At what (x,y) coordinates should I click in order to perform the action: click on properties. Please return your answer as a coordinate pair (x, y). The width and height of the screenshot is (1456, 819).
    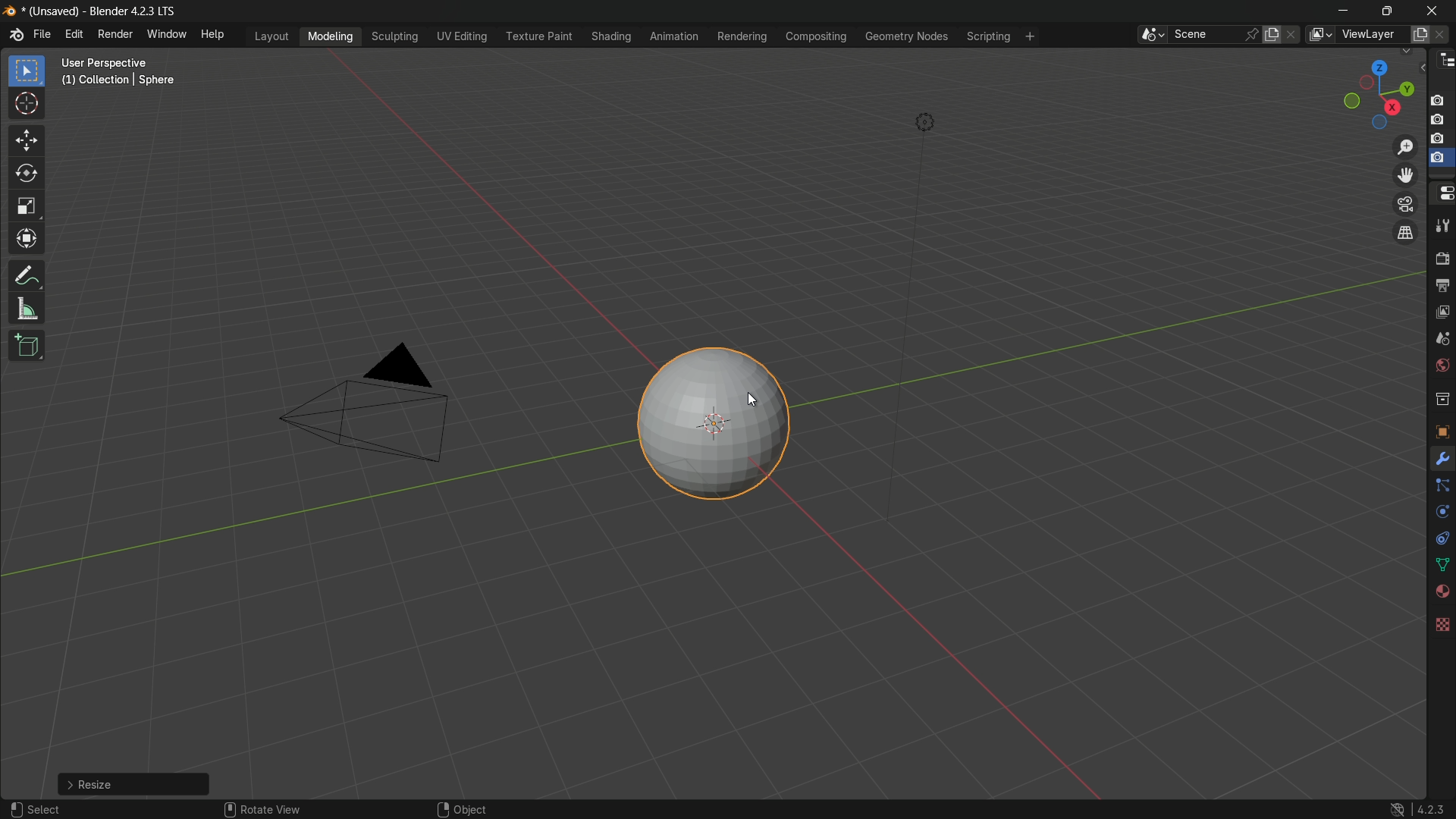
    Looking at the image, I should click on (1442, 194).